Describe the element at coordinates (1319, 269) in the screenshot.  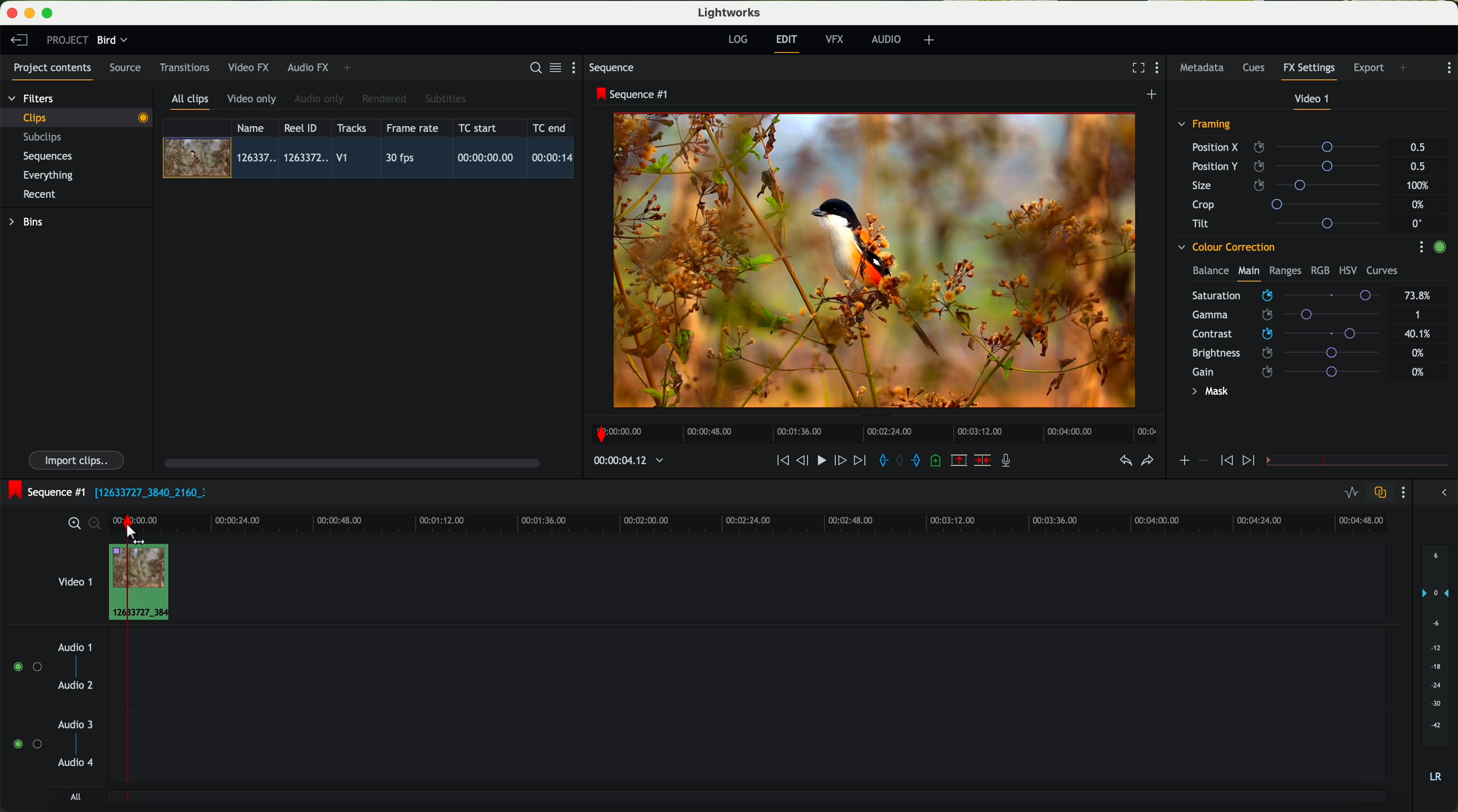
I see `RGB` at that location.